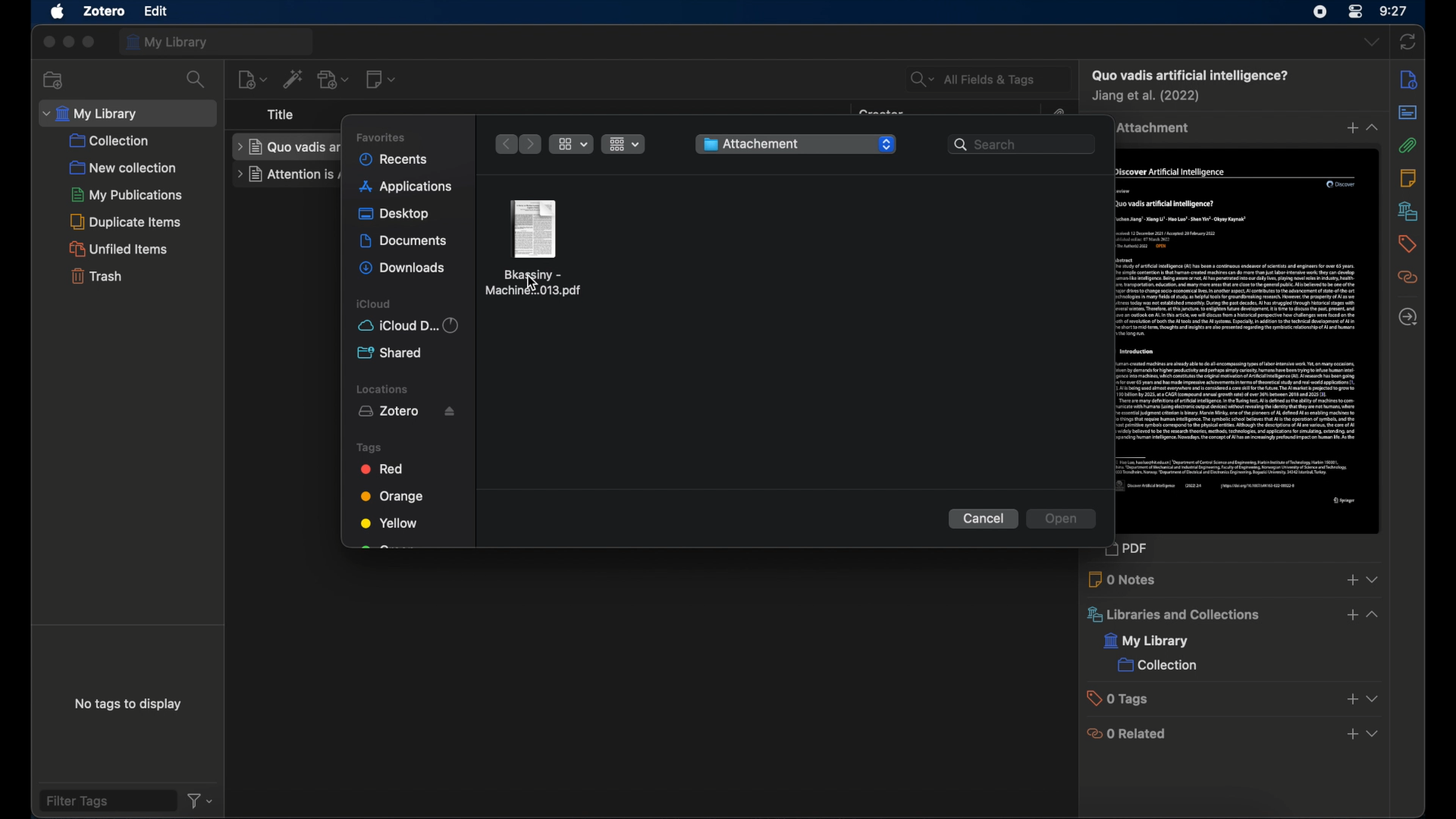  Describe the element at coordinates (1373, 699) in the screenshot. I see `dropdown menu` at that location.